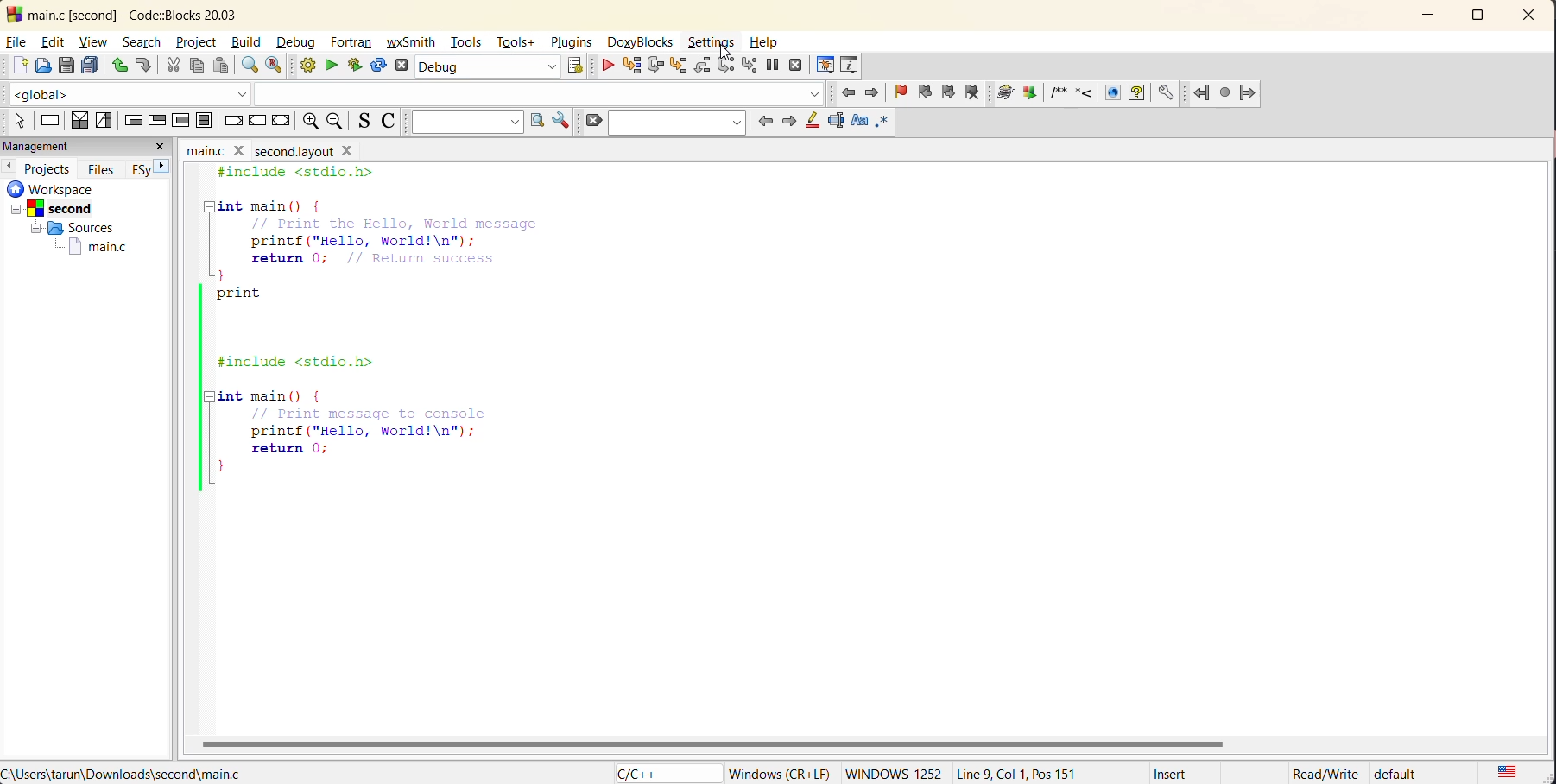 This screenshot has width=1556, height=784. I want to click on Sources, so click(66, 228).